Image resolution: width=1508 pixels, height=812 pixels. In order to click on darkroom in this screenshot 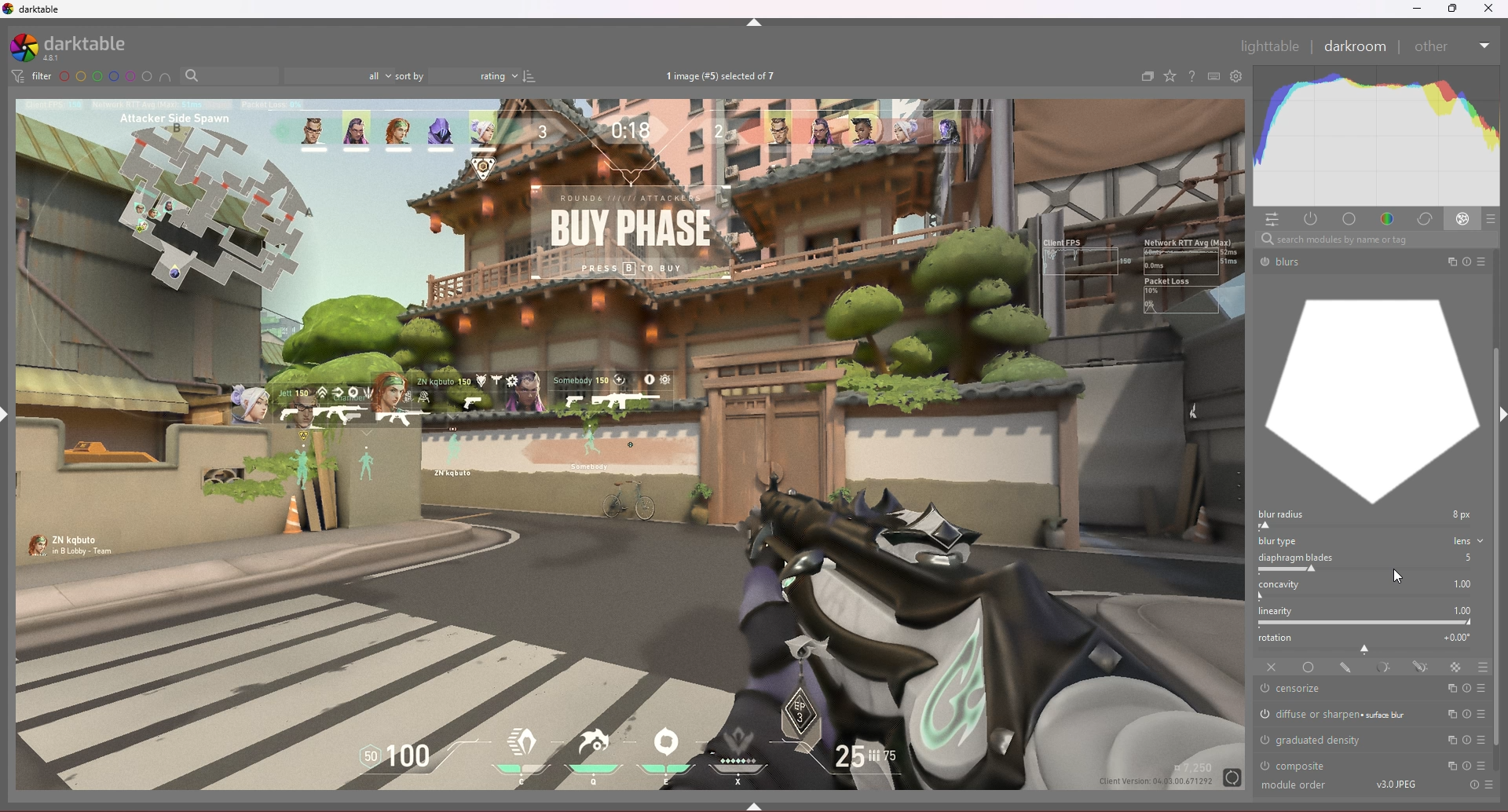, I will do `click(1356, 46)`.